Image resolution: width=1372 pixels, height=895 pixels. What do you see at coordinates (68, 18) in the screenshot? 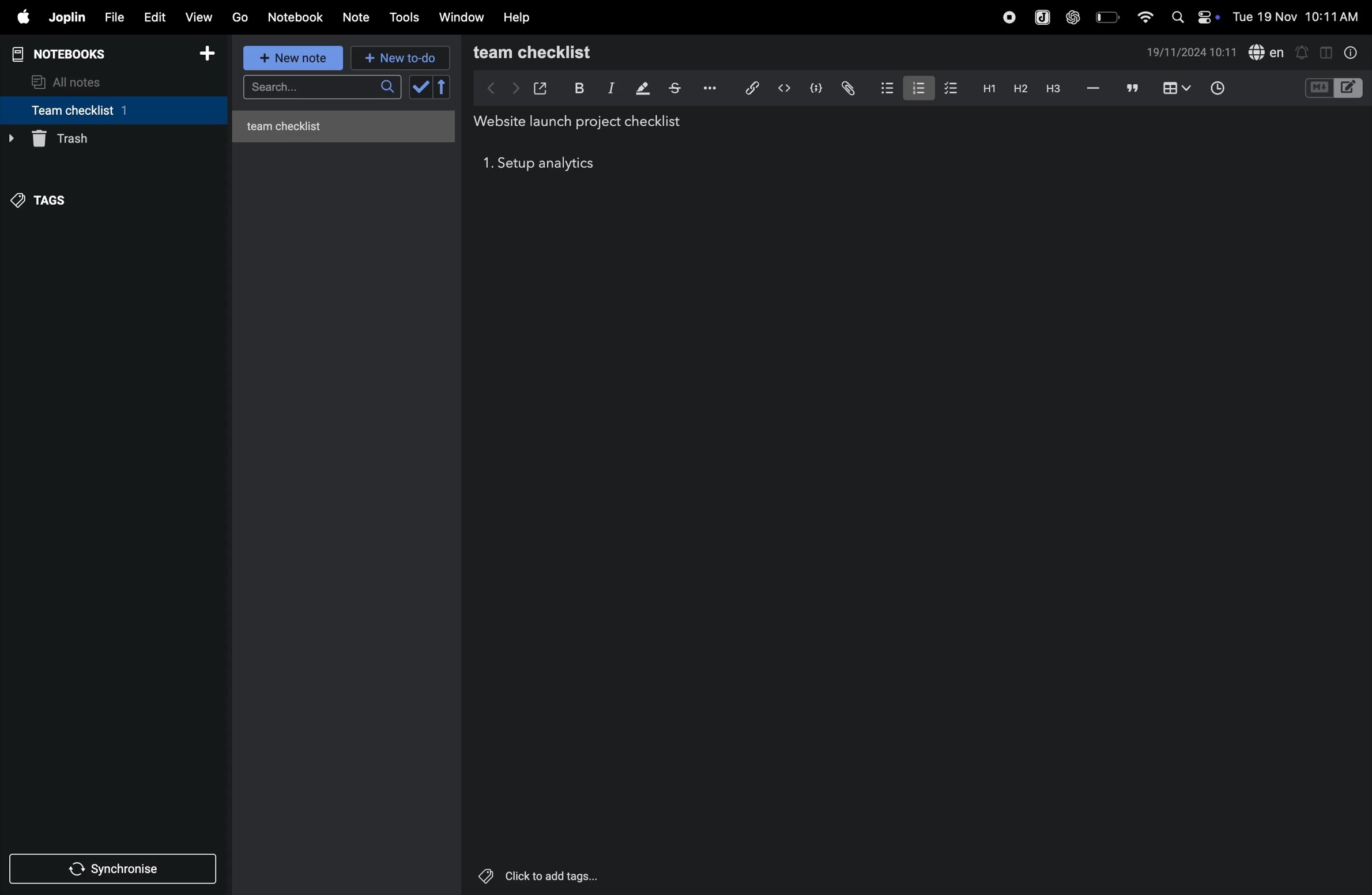
I see `joplin` at bounding box center [68, 18].